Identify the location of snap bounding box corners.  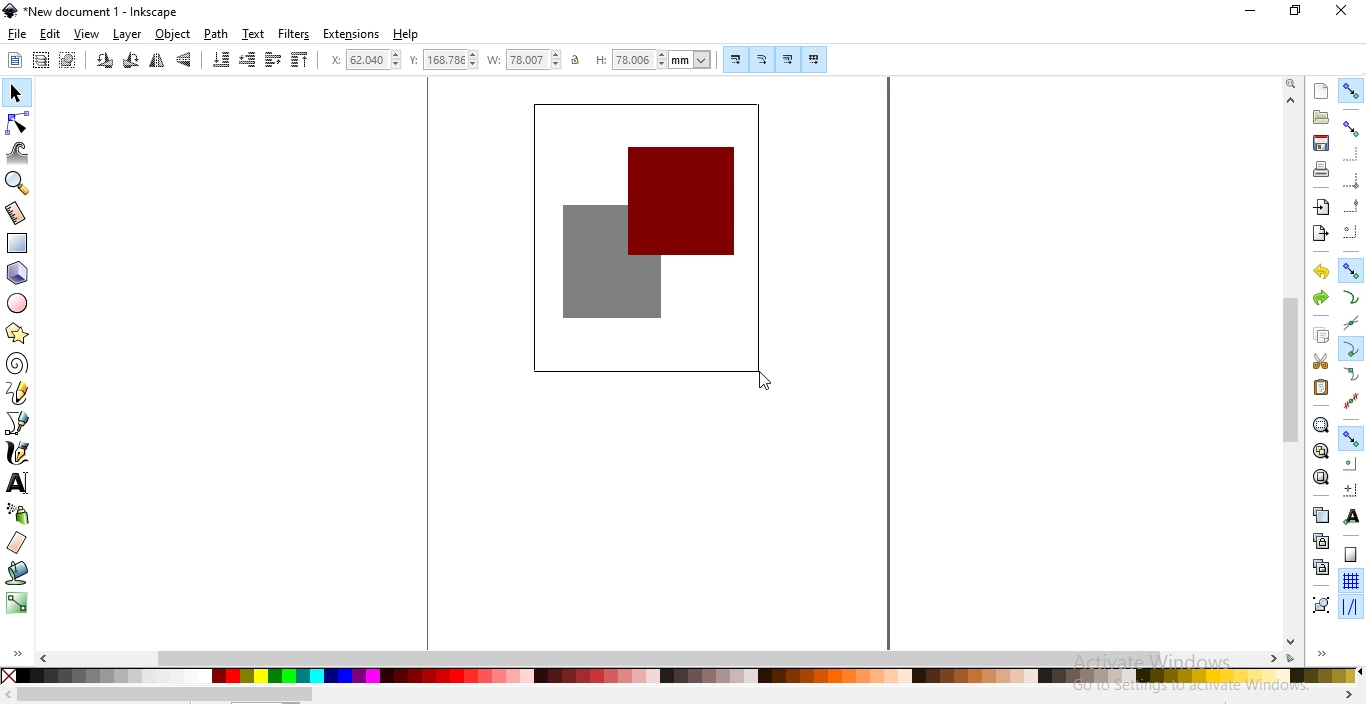
(1352, 178).